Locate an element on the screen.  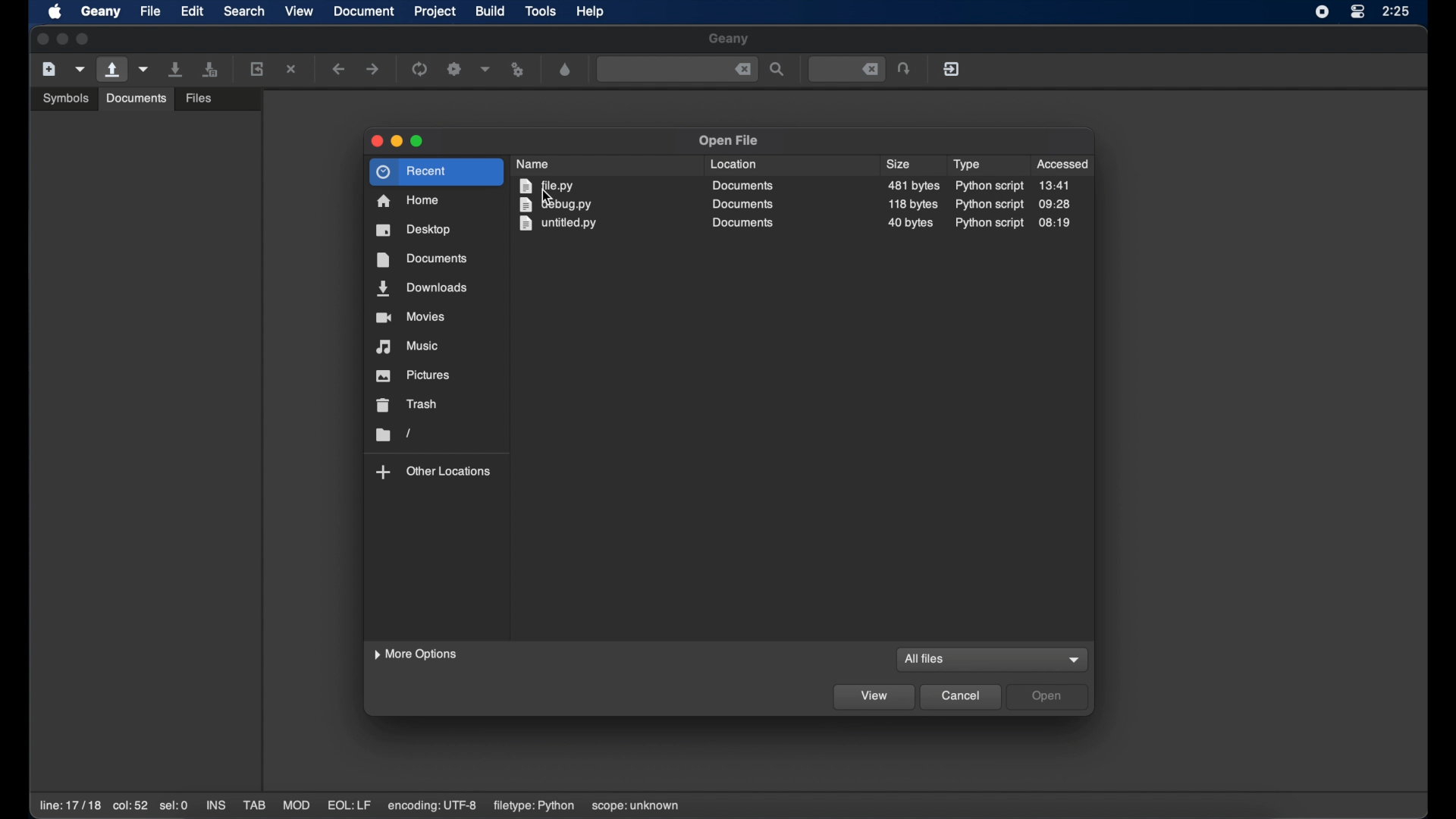
find the entered text in the current file is located at coordinates (676, 69).